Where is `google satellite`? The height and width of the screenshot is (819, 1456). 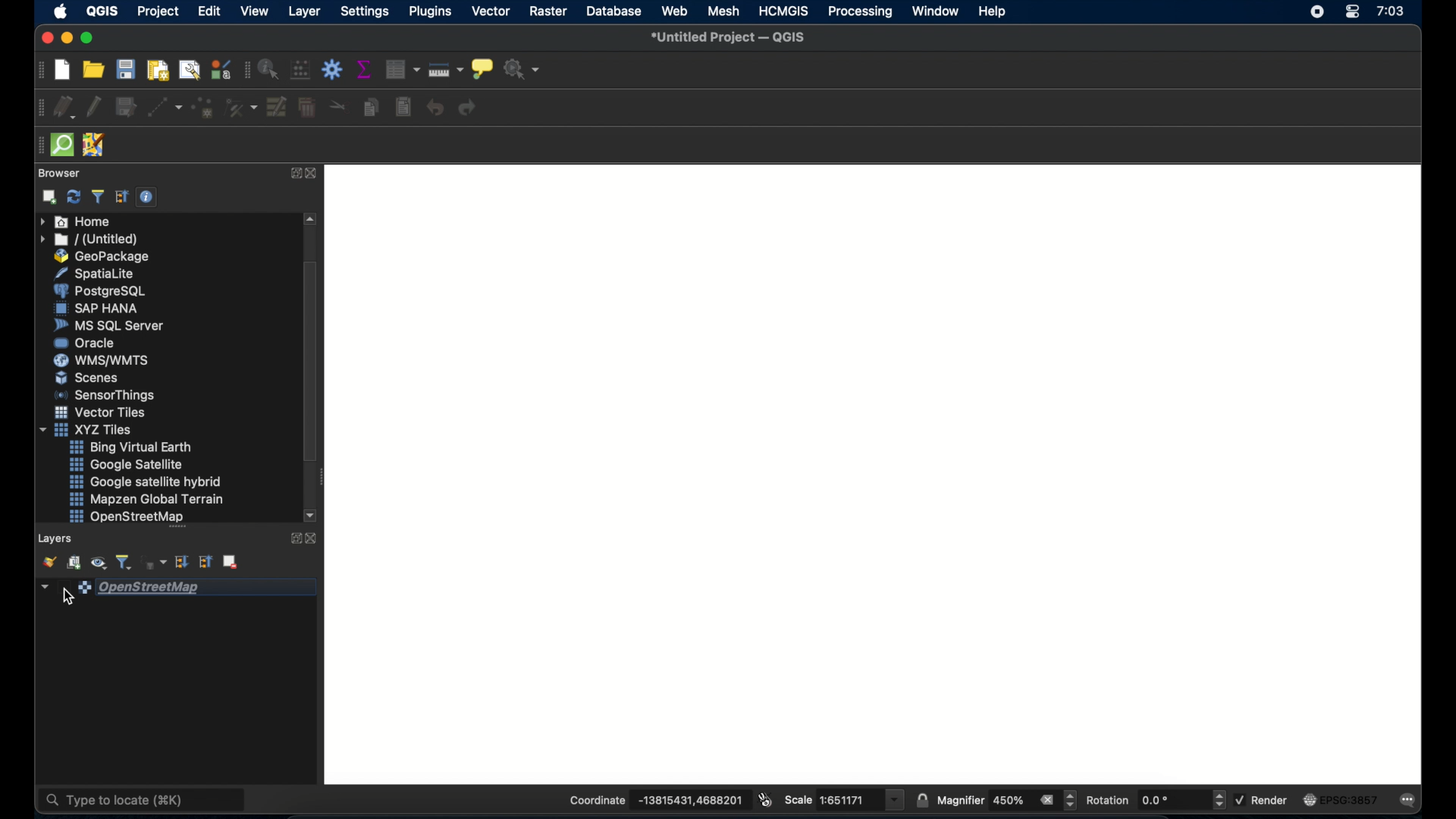 google satellite is located at coordinates (132, 466).